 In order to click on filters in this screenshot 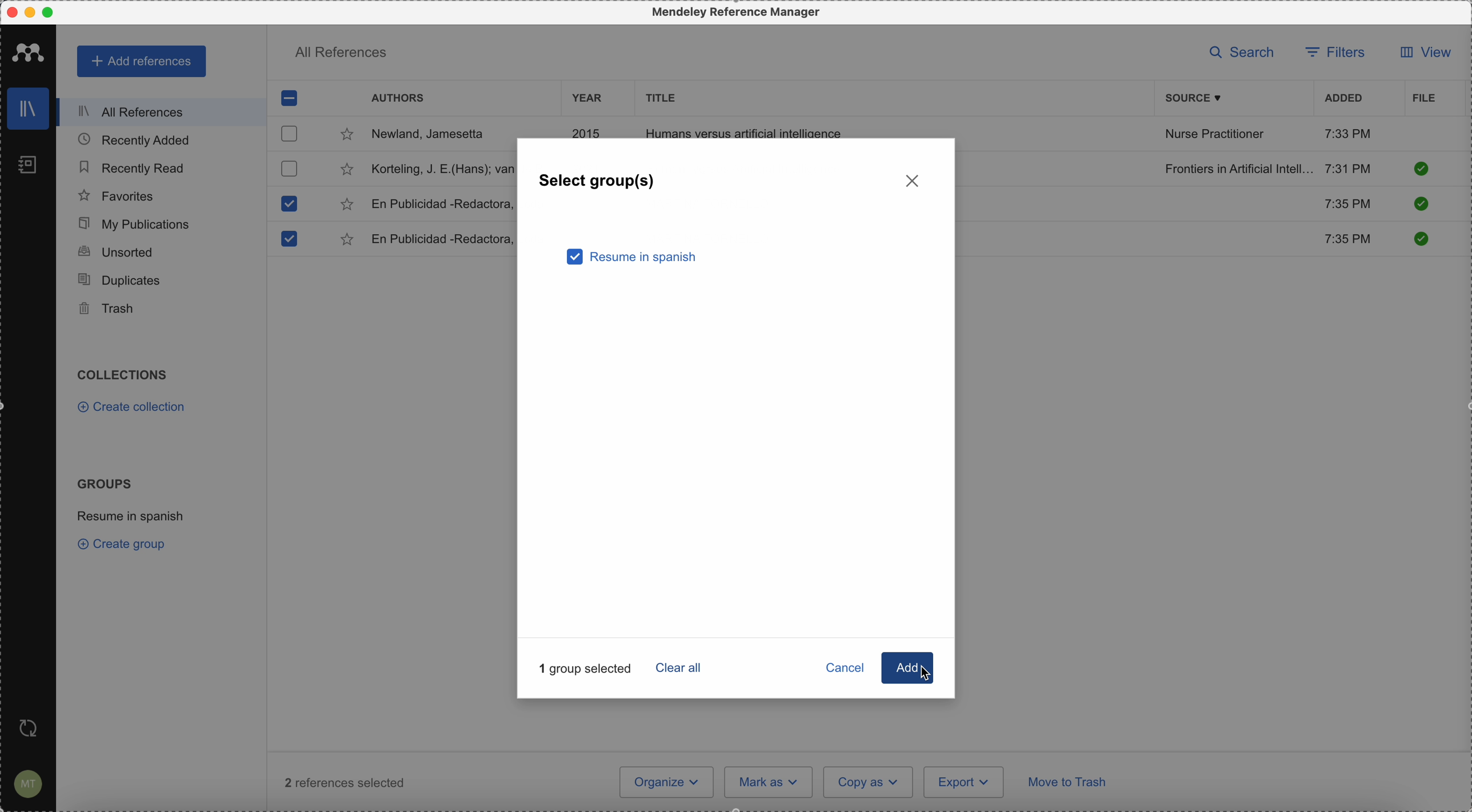, I will do `click(1335, 54)`.